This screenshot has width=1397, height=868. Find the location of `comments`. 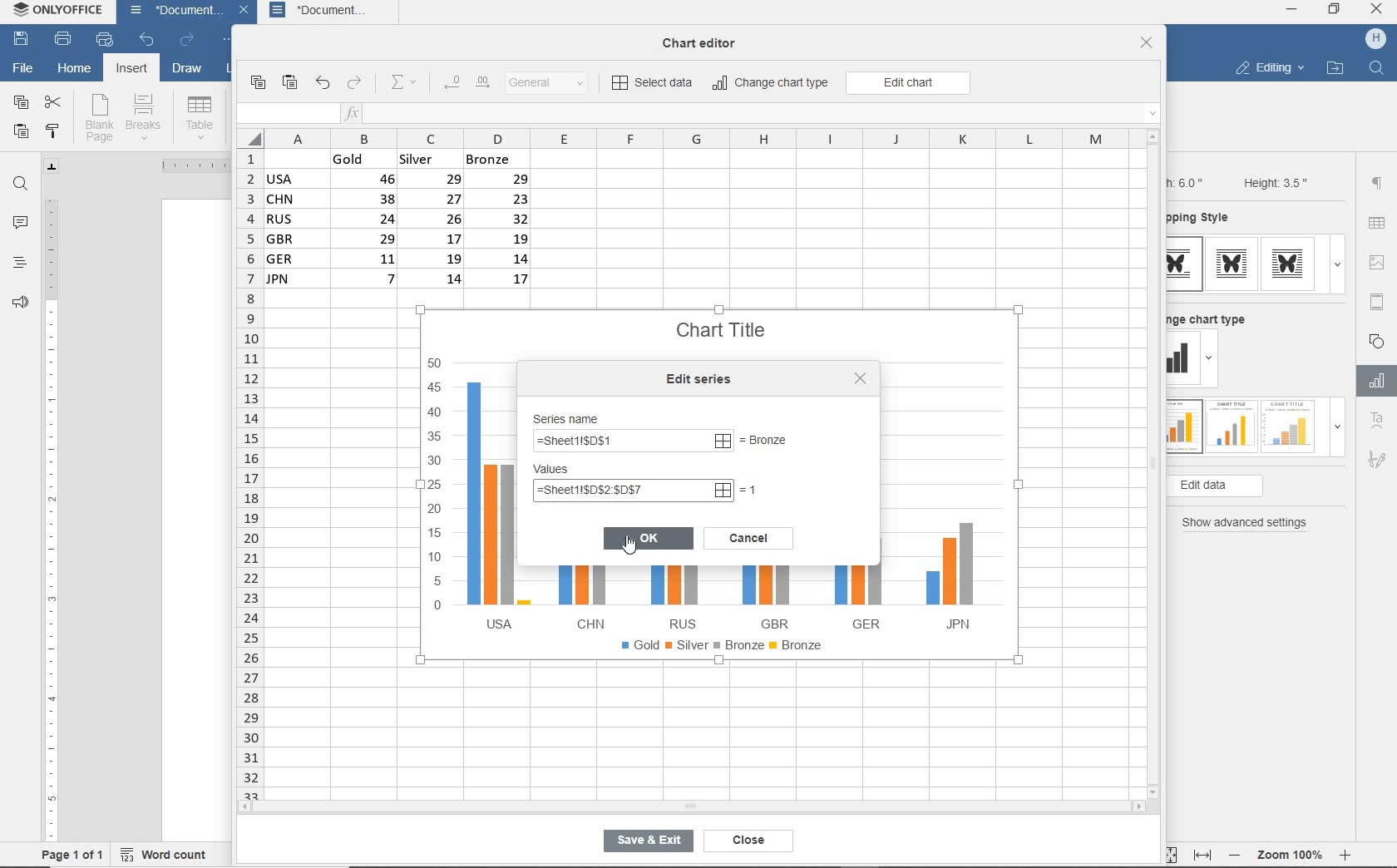

comments is located at coordinates (21, 224).